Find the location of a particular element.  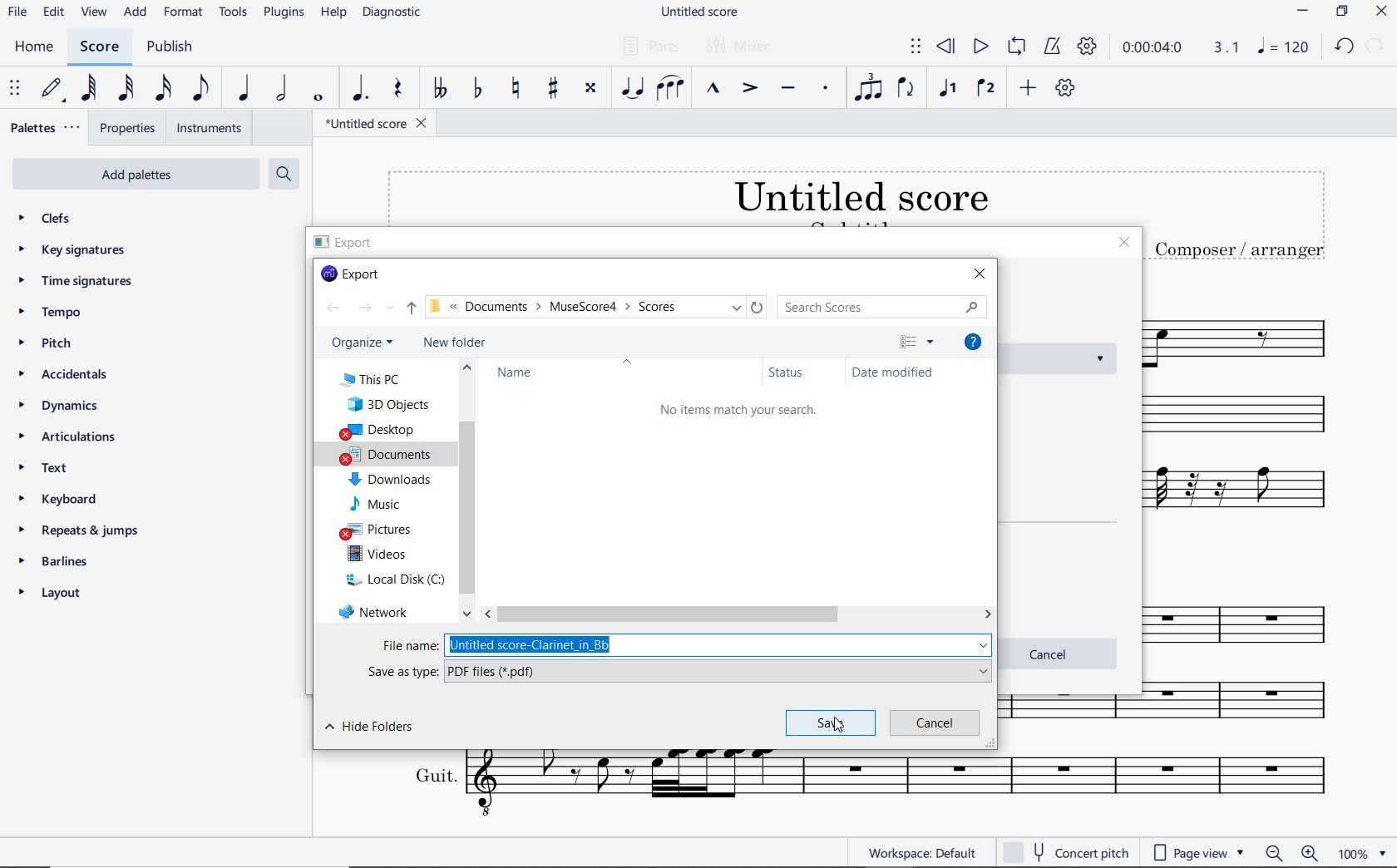

UP is located at coordinates (402, 309).